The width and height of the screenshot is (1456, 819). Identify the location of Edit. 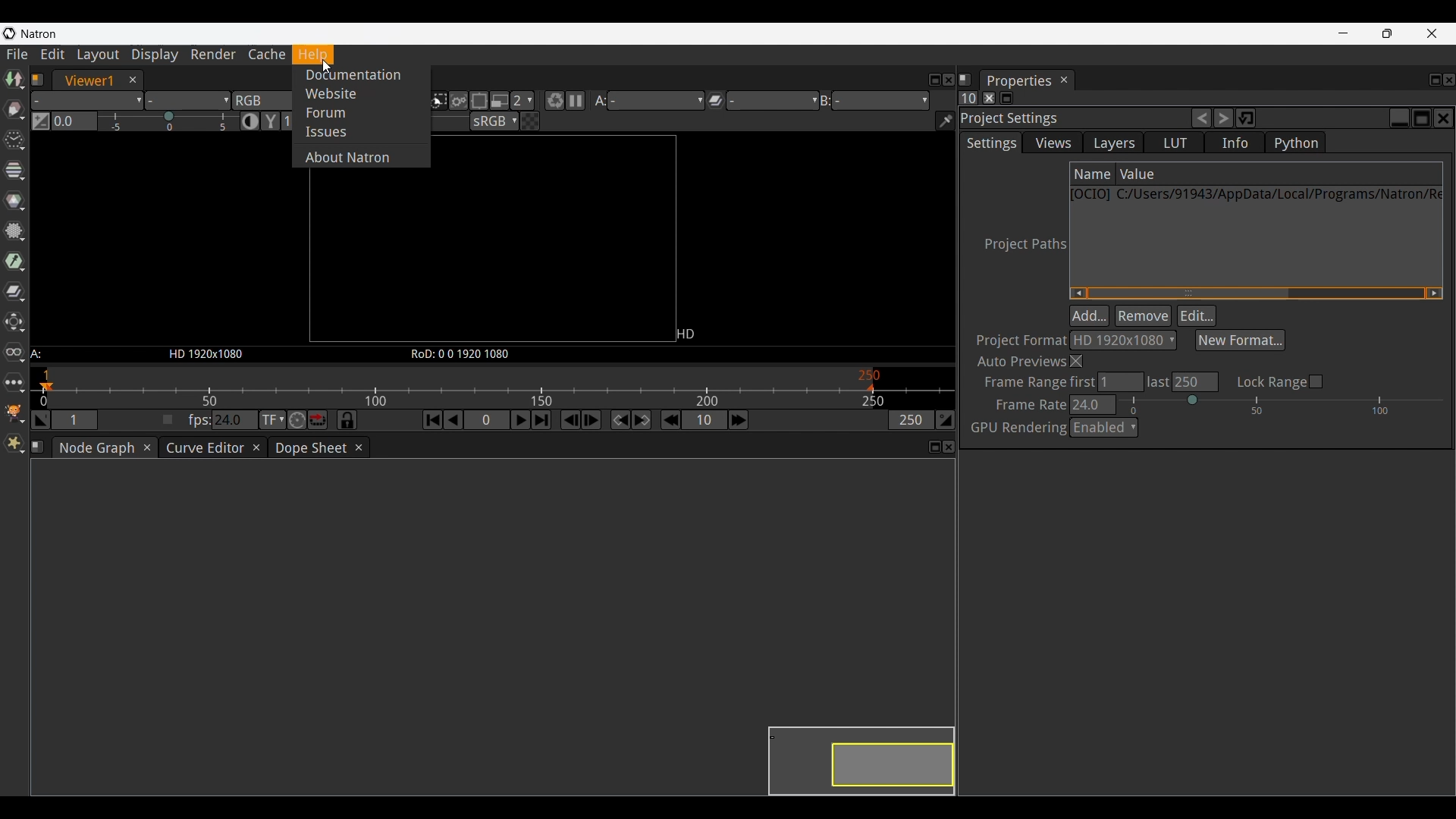
(1197, 315).